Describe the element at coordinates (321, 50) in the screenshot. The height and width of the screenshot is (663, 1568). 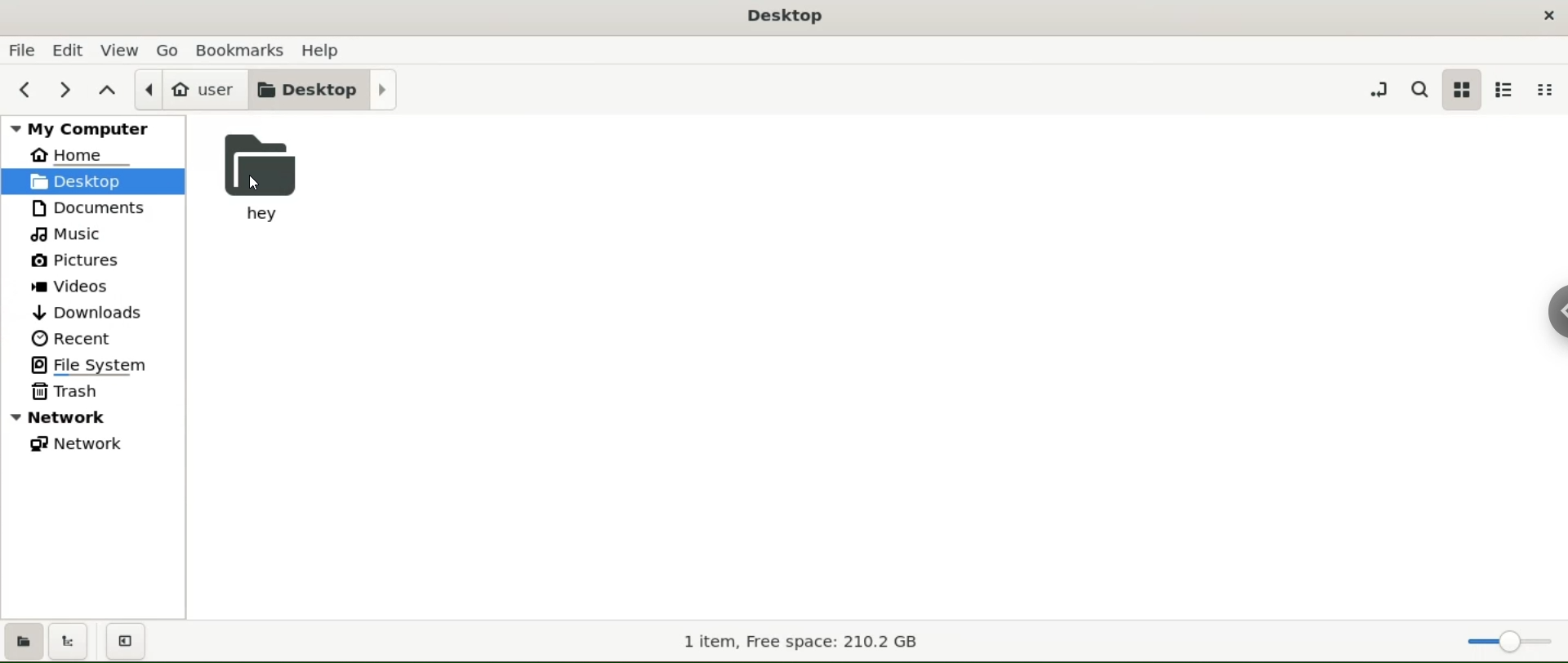
I see `help` at that location.